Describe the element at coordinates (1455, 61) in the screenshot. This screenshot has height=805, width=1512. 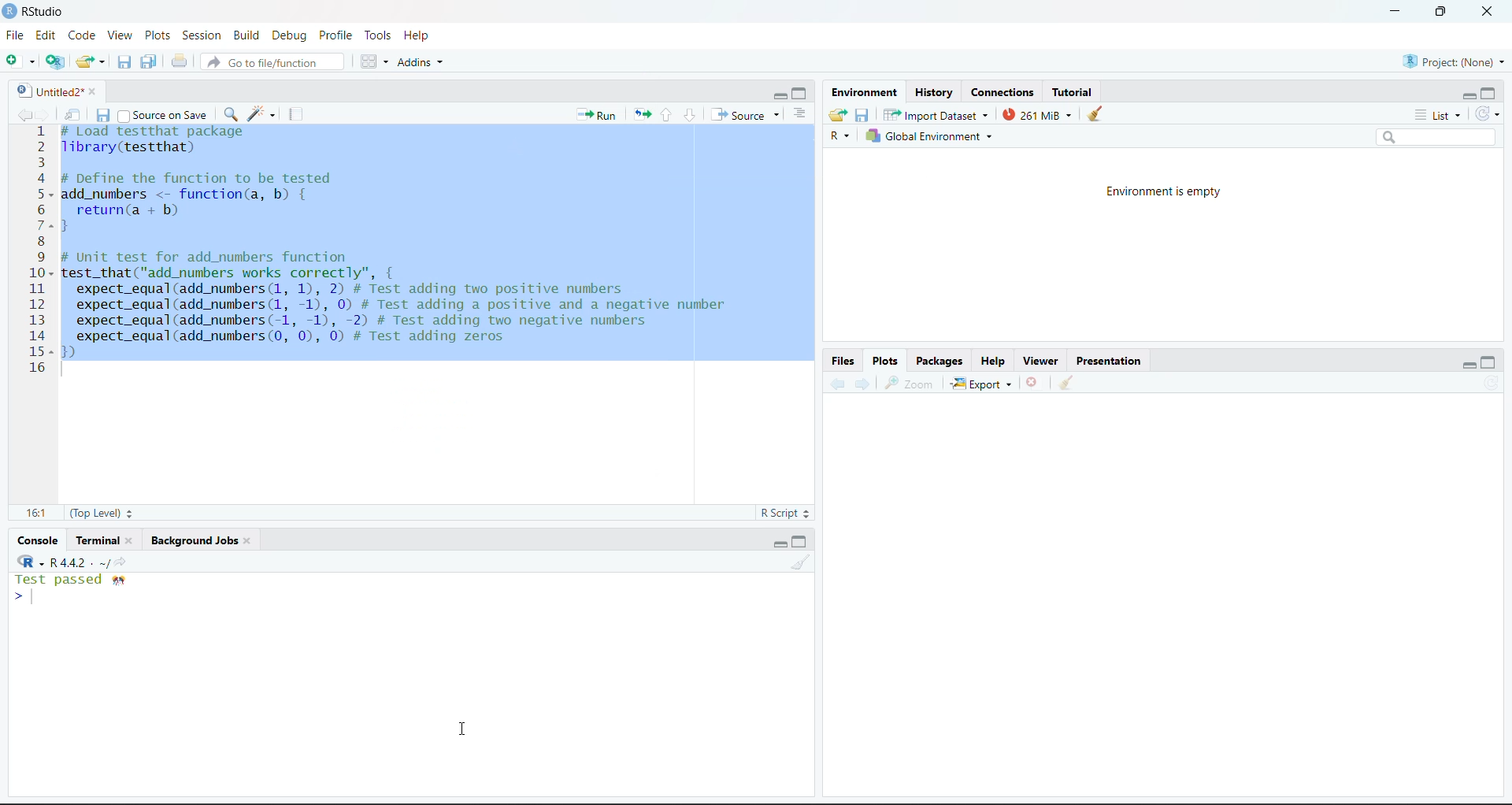
I see `Project (None)` at that location.